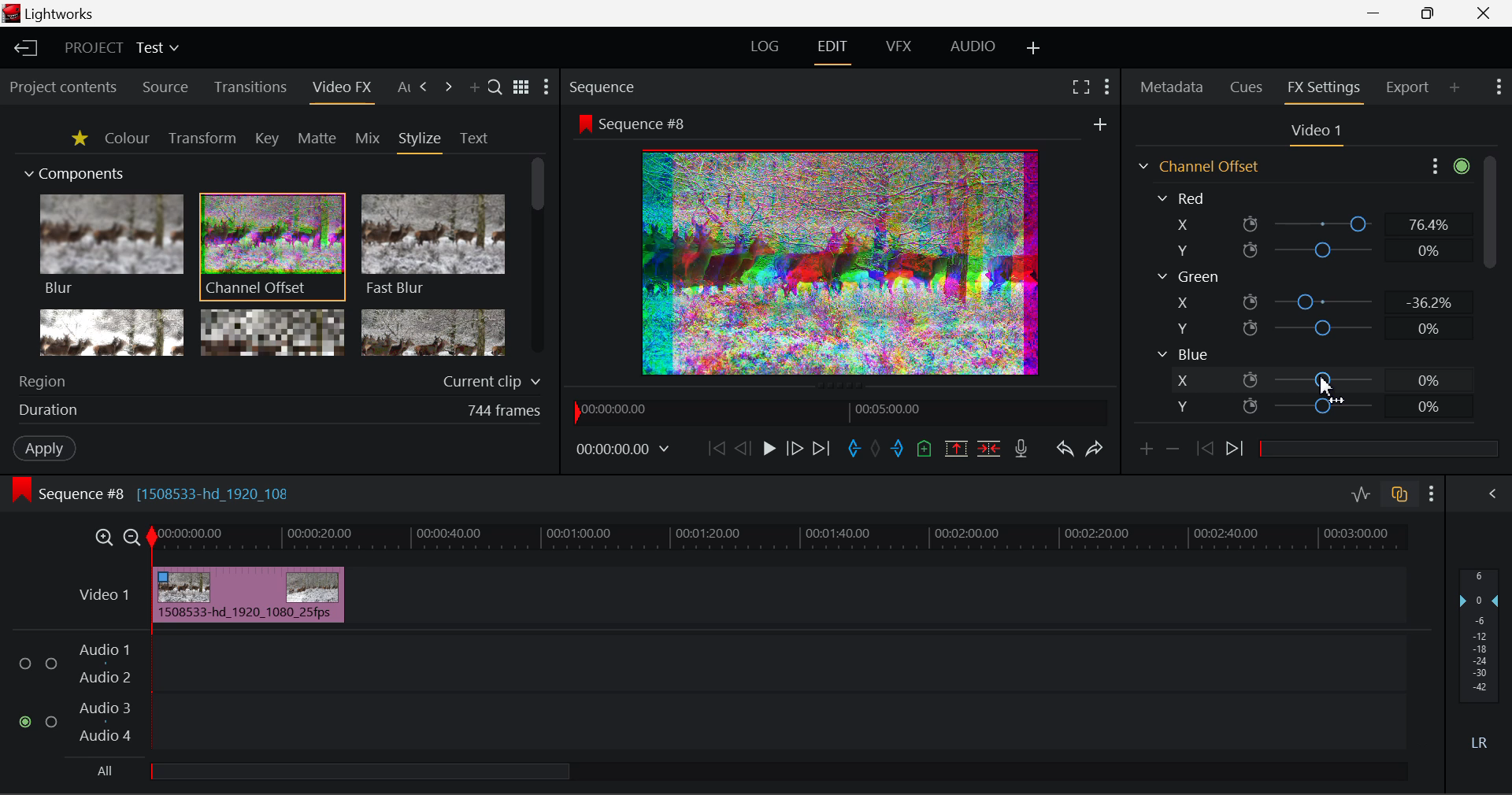  I want to click on Add keyframe, so click(1145, 453).